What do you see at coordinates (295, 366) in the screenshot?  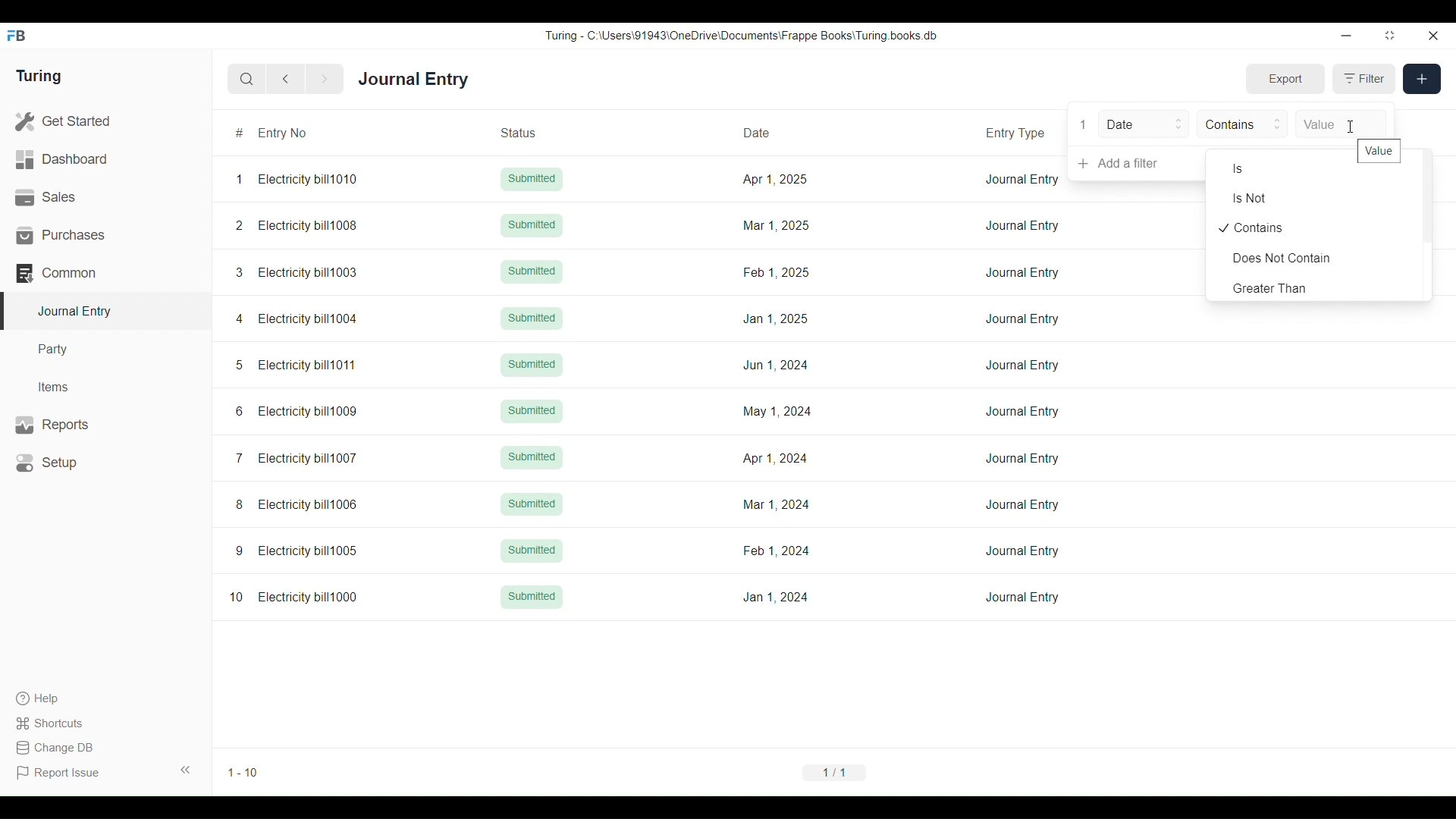 I see `5 Electricity bill1011` at bounding box center [295, 366].